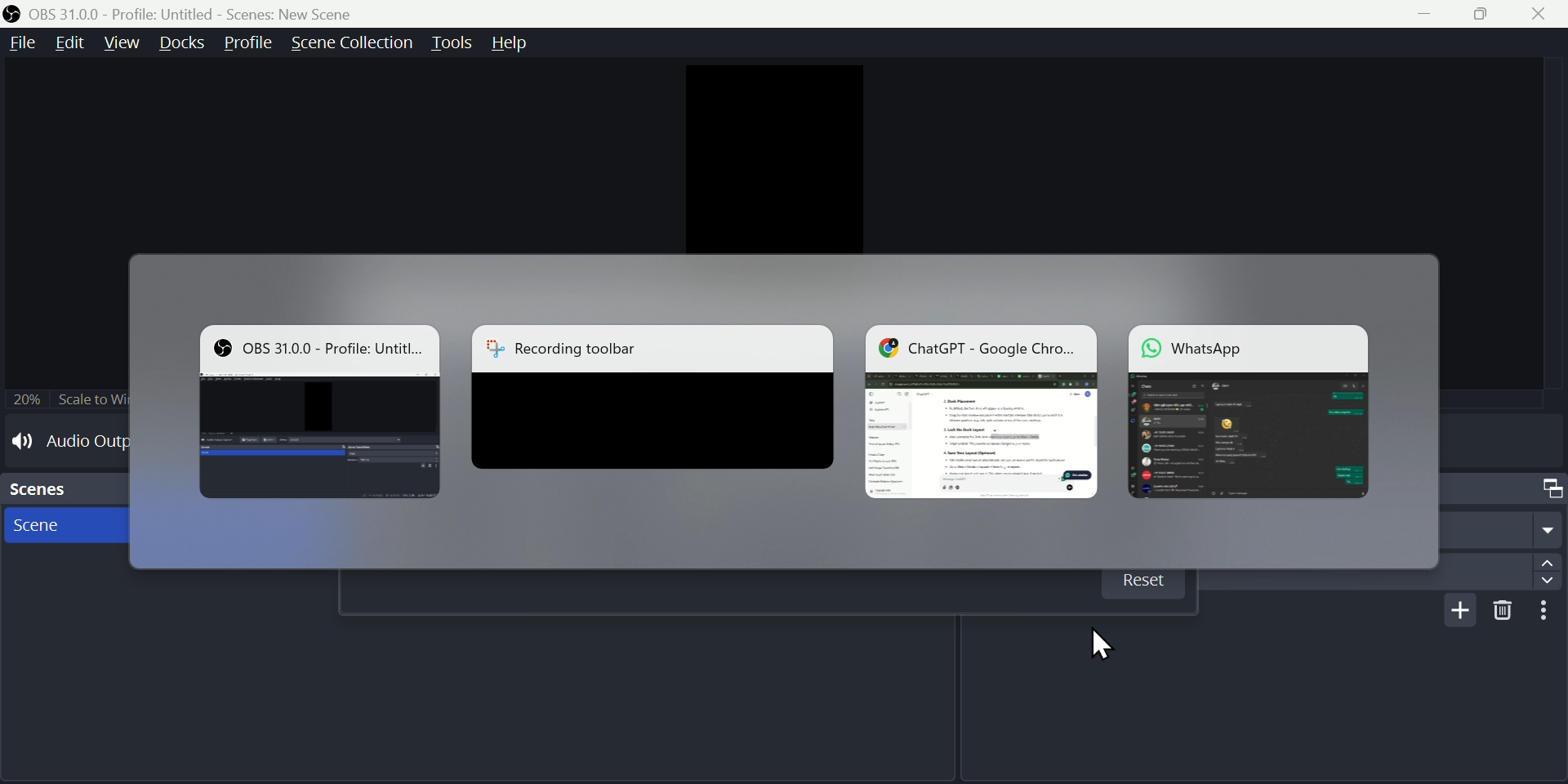 This screenshot has height=784, width=1568. Describe the element at coordinates (450, 43) in the screenshot. I see `tools` at that location.